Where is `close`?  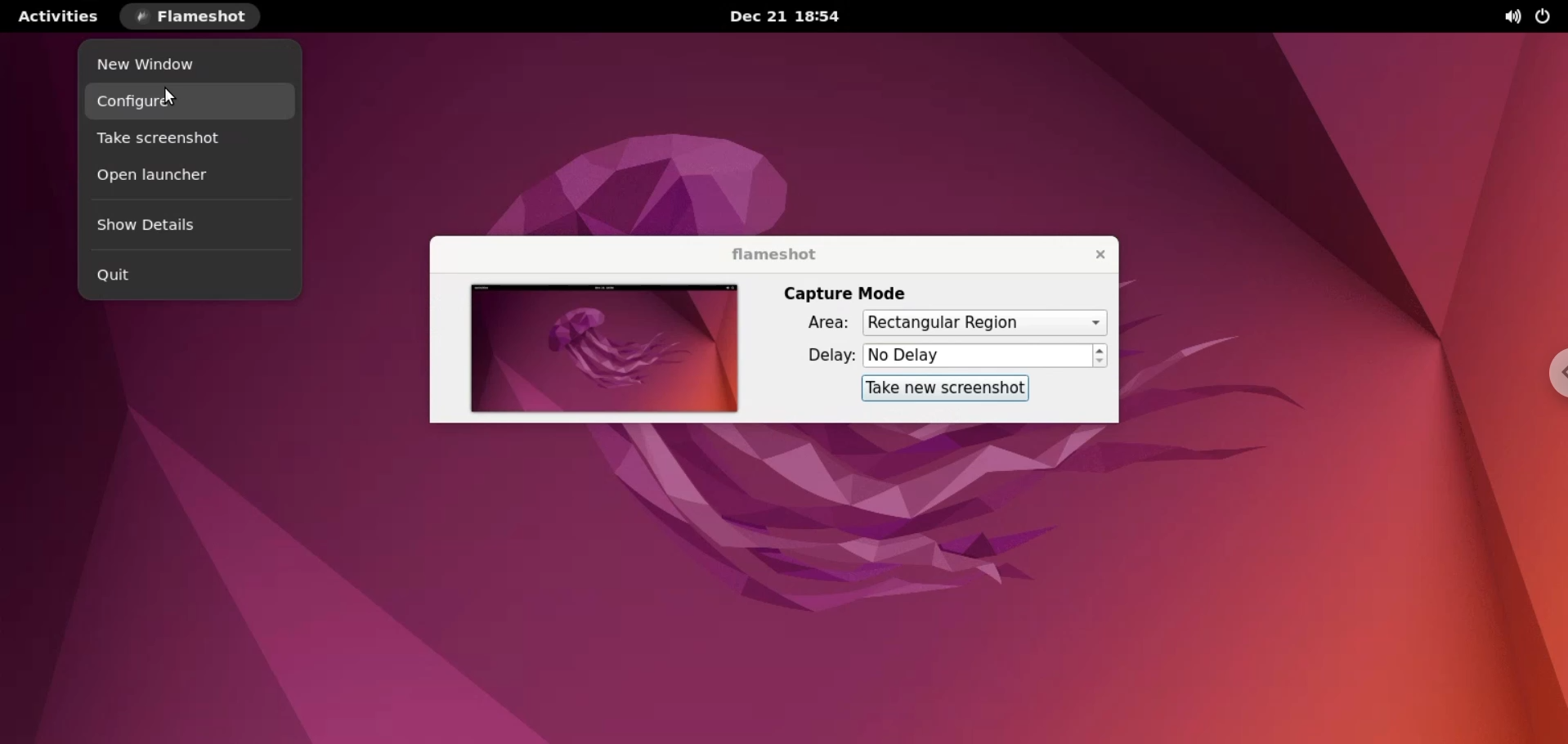 close is located at coordinates (1094, 254).